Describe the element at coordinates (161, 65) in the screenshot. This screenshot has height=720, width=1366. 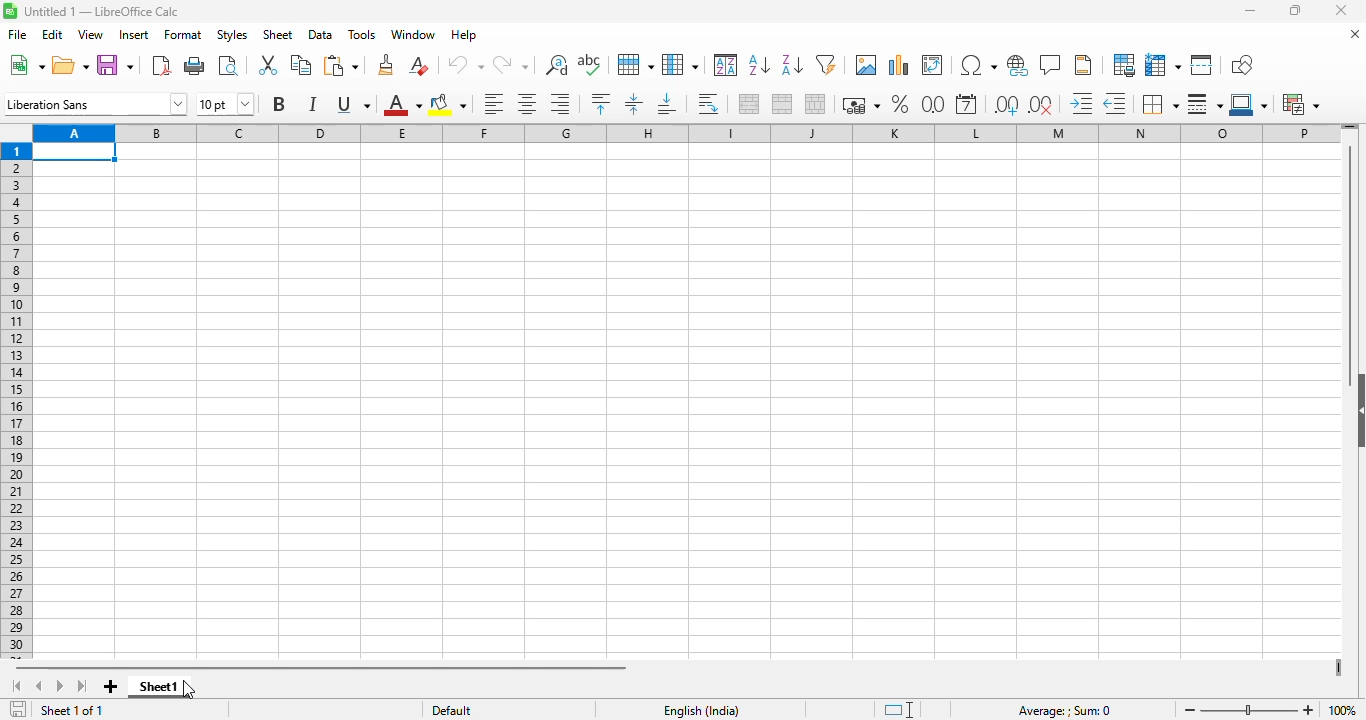
I see `export directly as PDF` at that location.